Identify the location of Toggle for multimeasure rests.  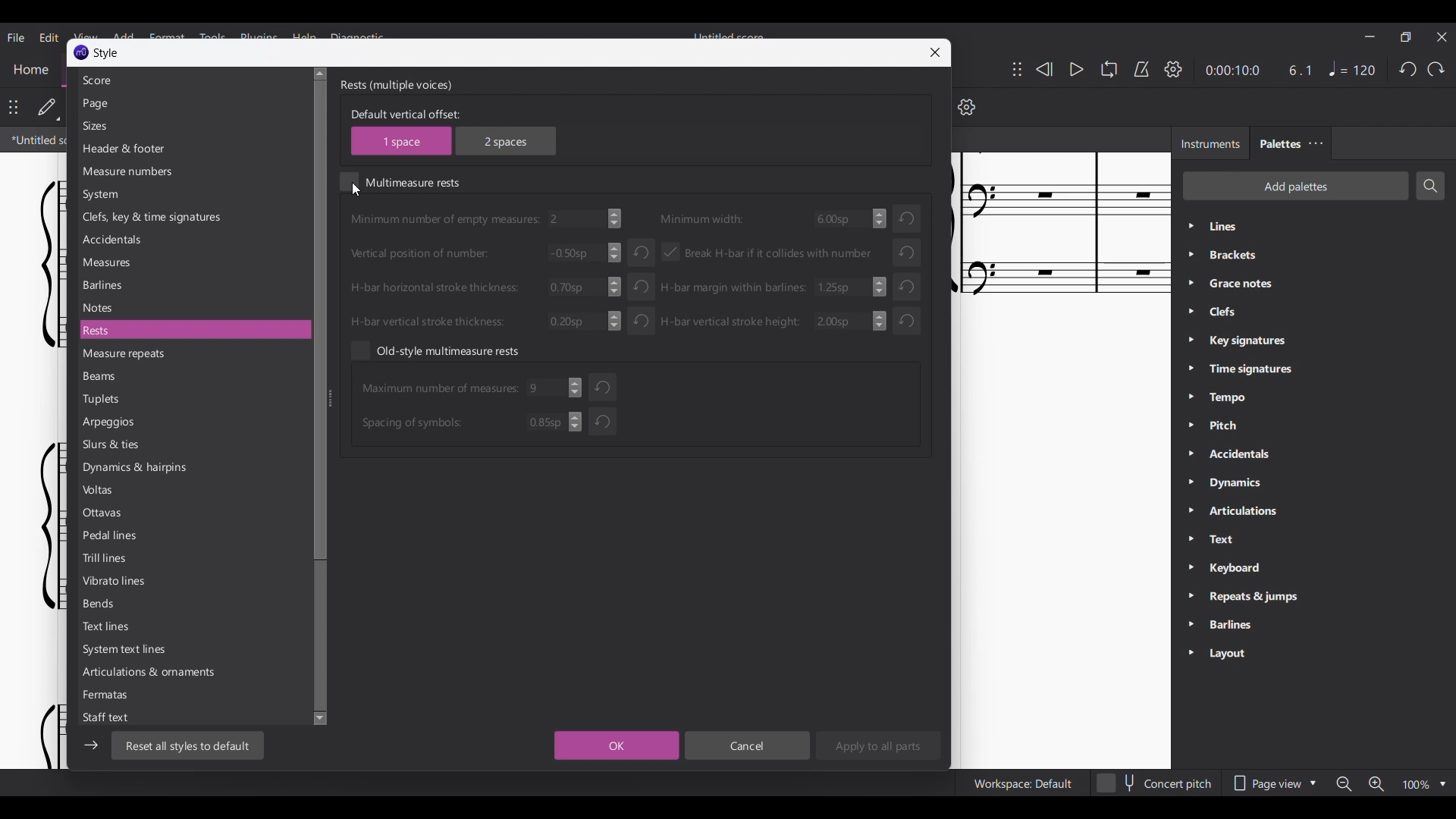
(399, 181).